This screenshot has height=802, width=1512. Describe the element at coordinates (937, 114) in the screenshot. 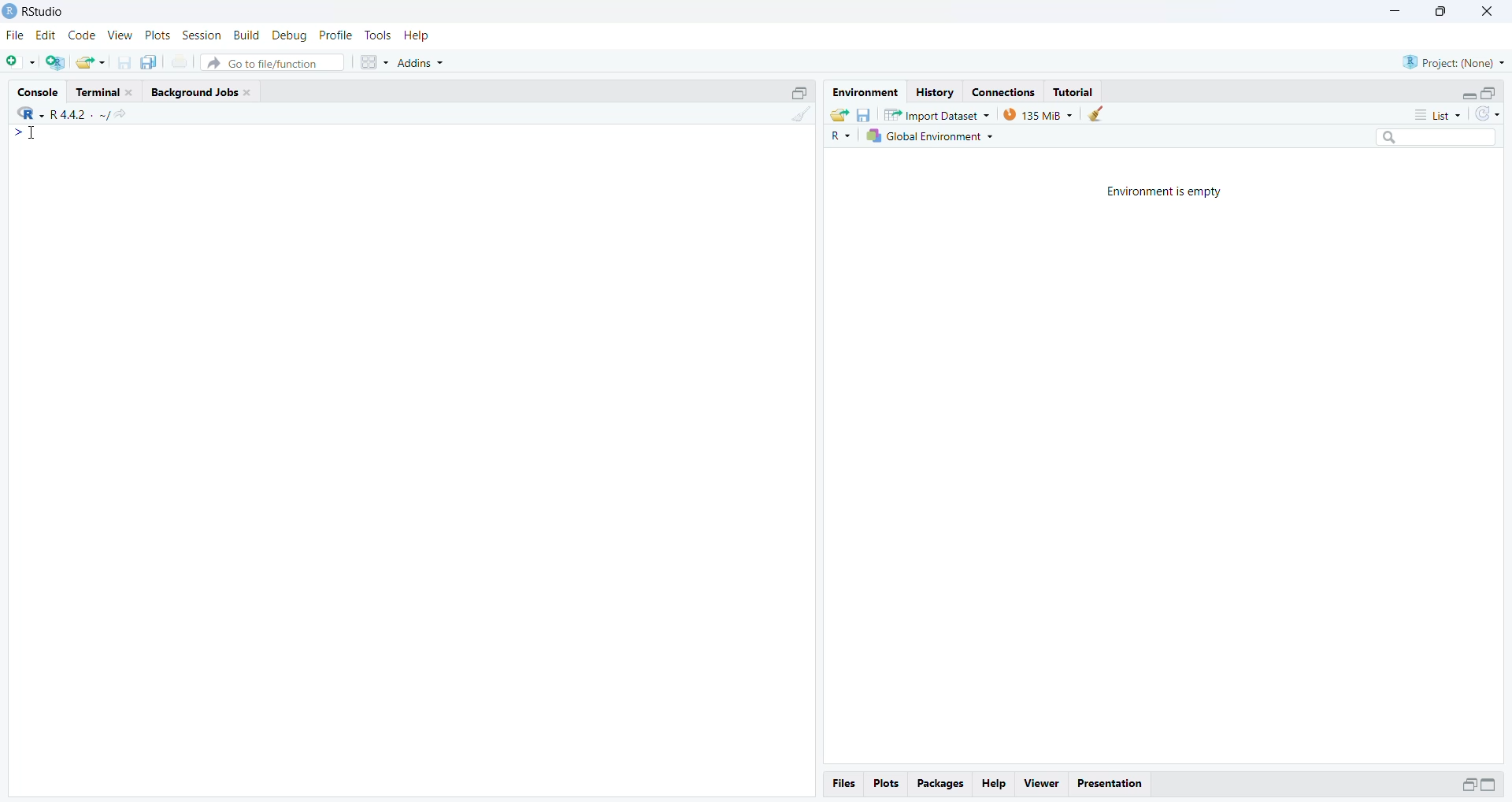

I see `Import Dataset` at that location.